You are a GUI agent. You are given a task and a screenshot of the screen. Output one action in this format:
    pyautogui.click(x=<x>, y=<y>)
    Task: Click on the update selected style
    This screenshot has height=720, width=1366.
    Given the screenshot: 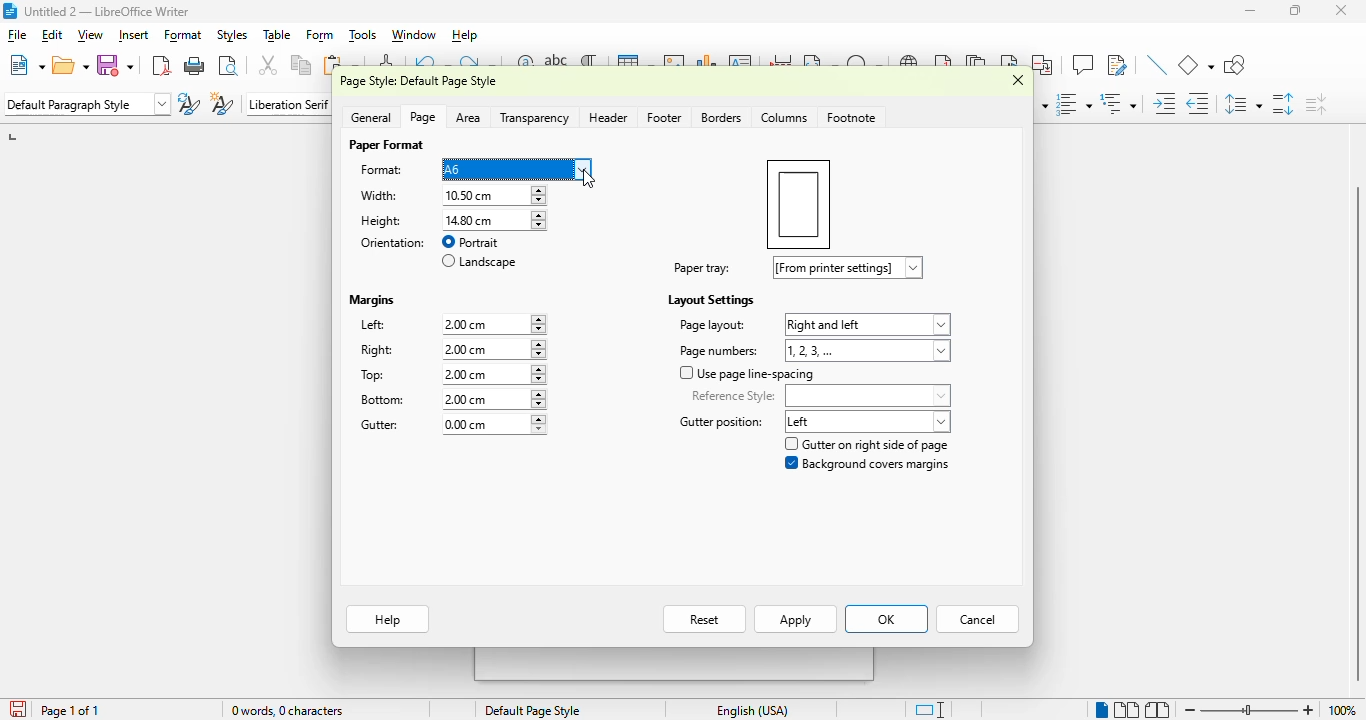 What is the action you would take?
    pyautogui.click(x=190, y=104)
    